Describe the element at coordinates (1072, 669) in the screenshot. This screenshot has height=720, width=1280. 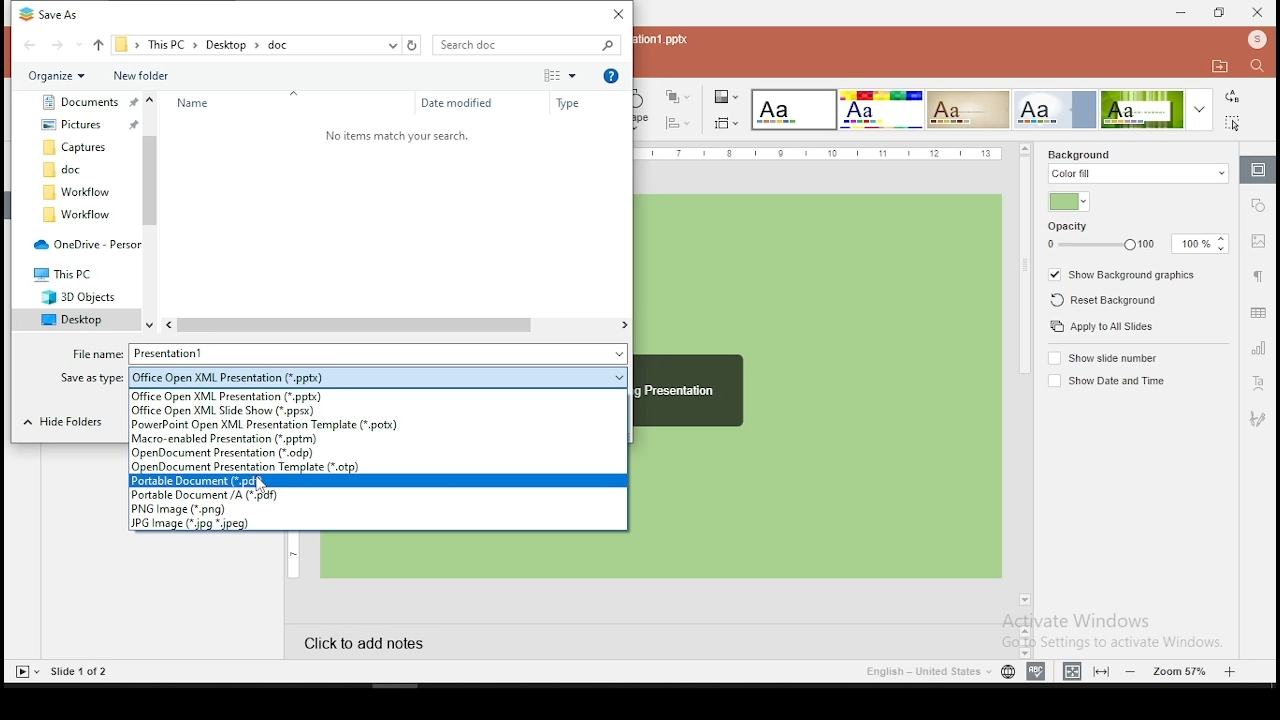
I see `fit to slide` at that location.